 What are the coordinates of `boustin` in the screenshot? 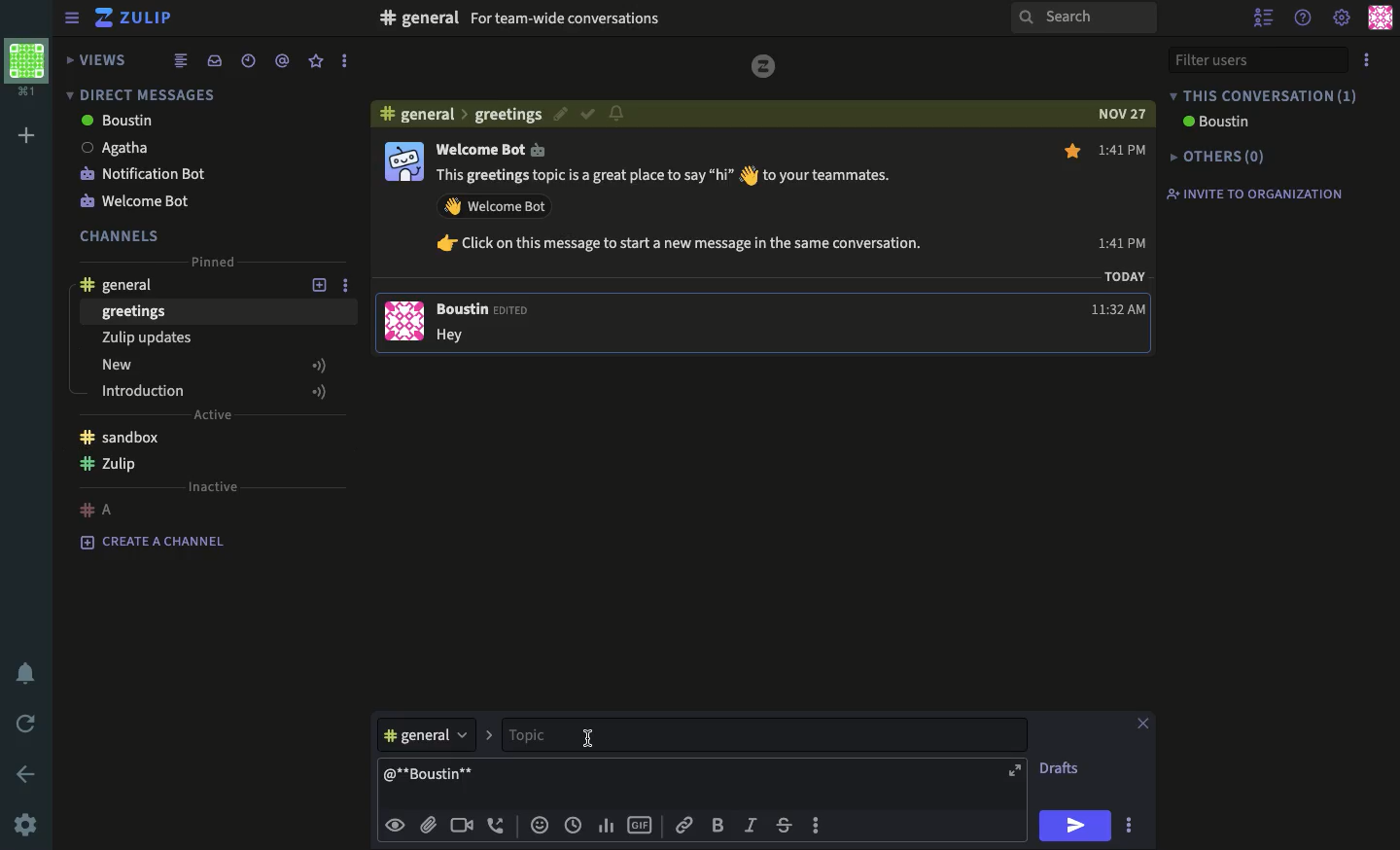 It's located at (117, 122).